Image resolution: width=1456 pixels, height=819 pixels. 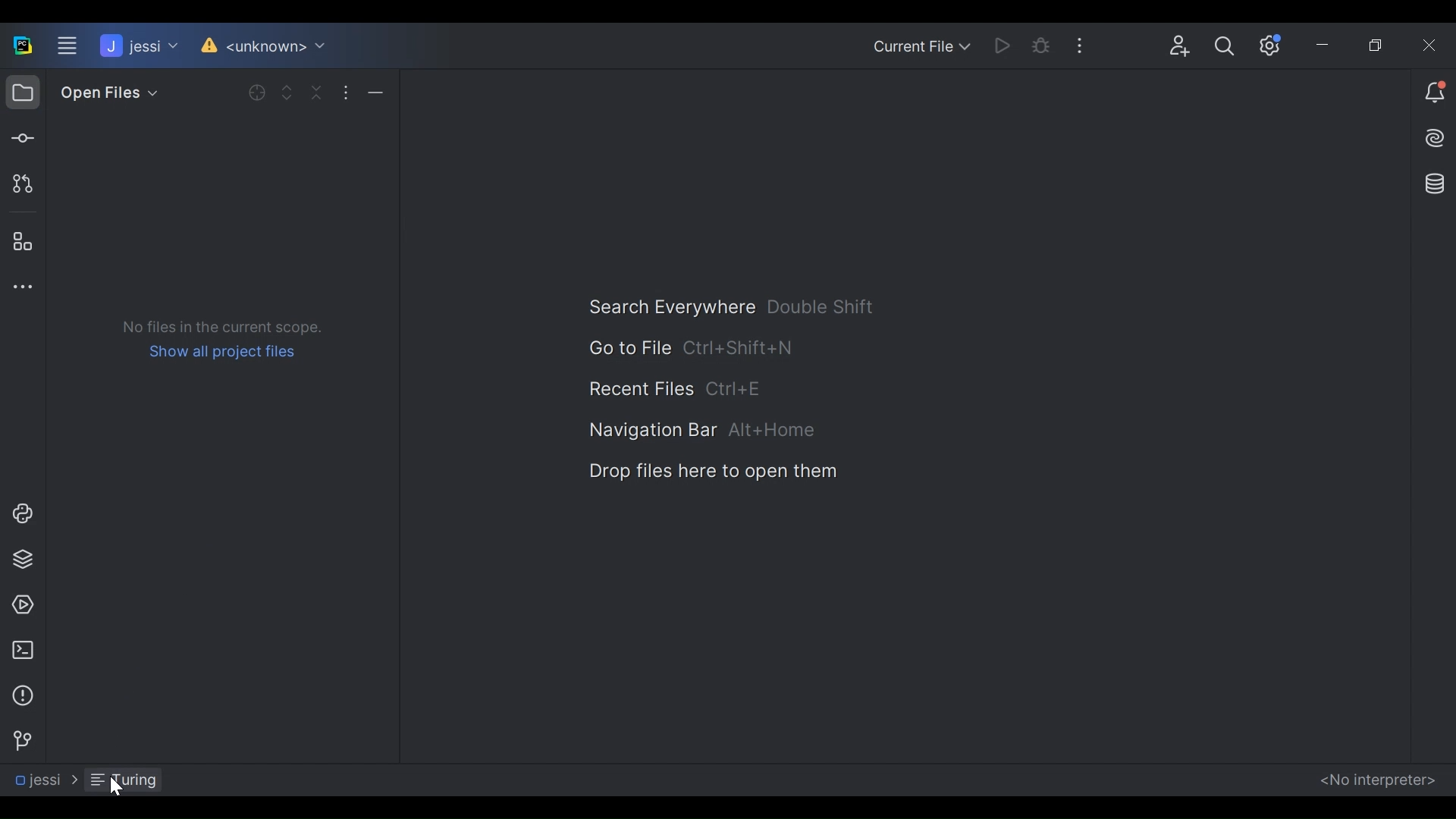 What do you see at coordinates (218, 353) in the screenshot?
I see `Sow all project files` at bounding box center [218, 353].